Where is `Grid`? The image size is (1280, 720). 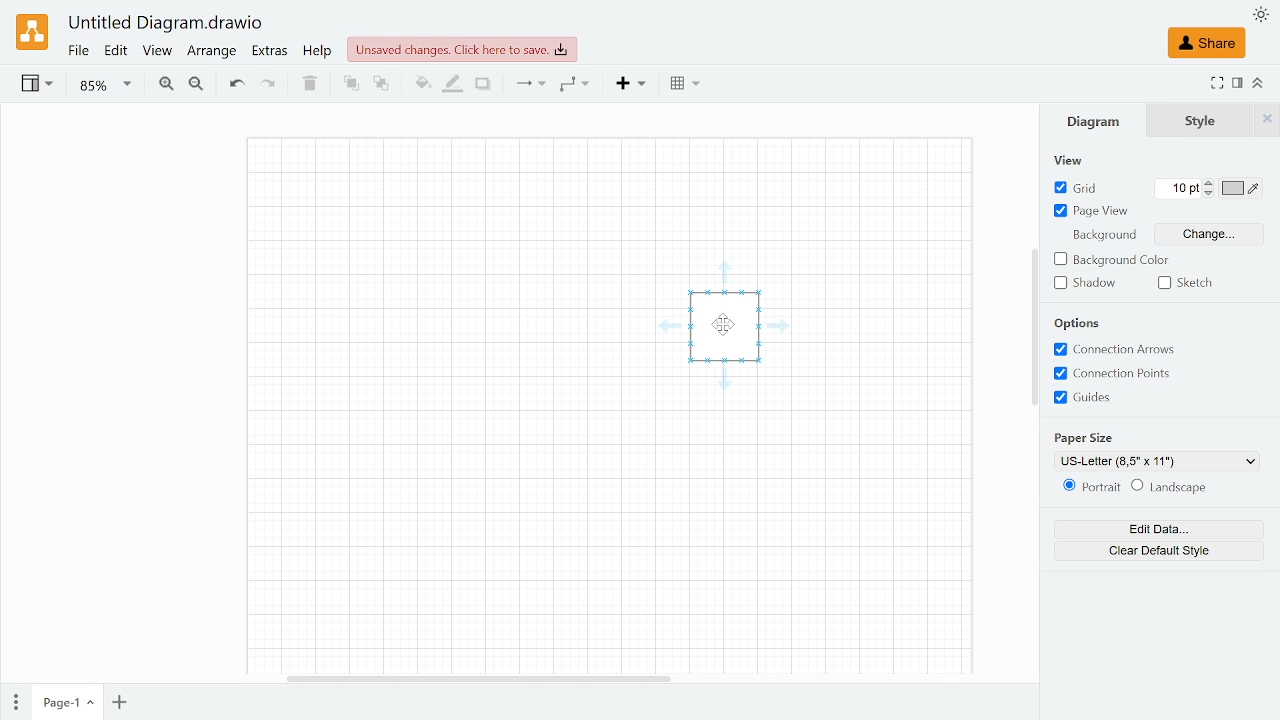 Grid is located at coordinates (1089, 188).